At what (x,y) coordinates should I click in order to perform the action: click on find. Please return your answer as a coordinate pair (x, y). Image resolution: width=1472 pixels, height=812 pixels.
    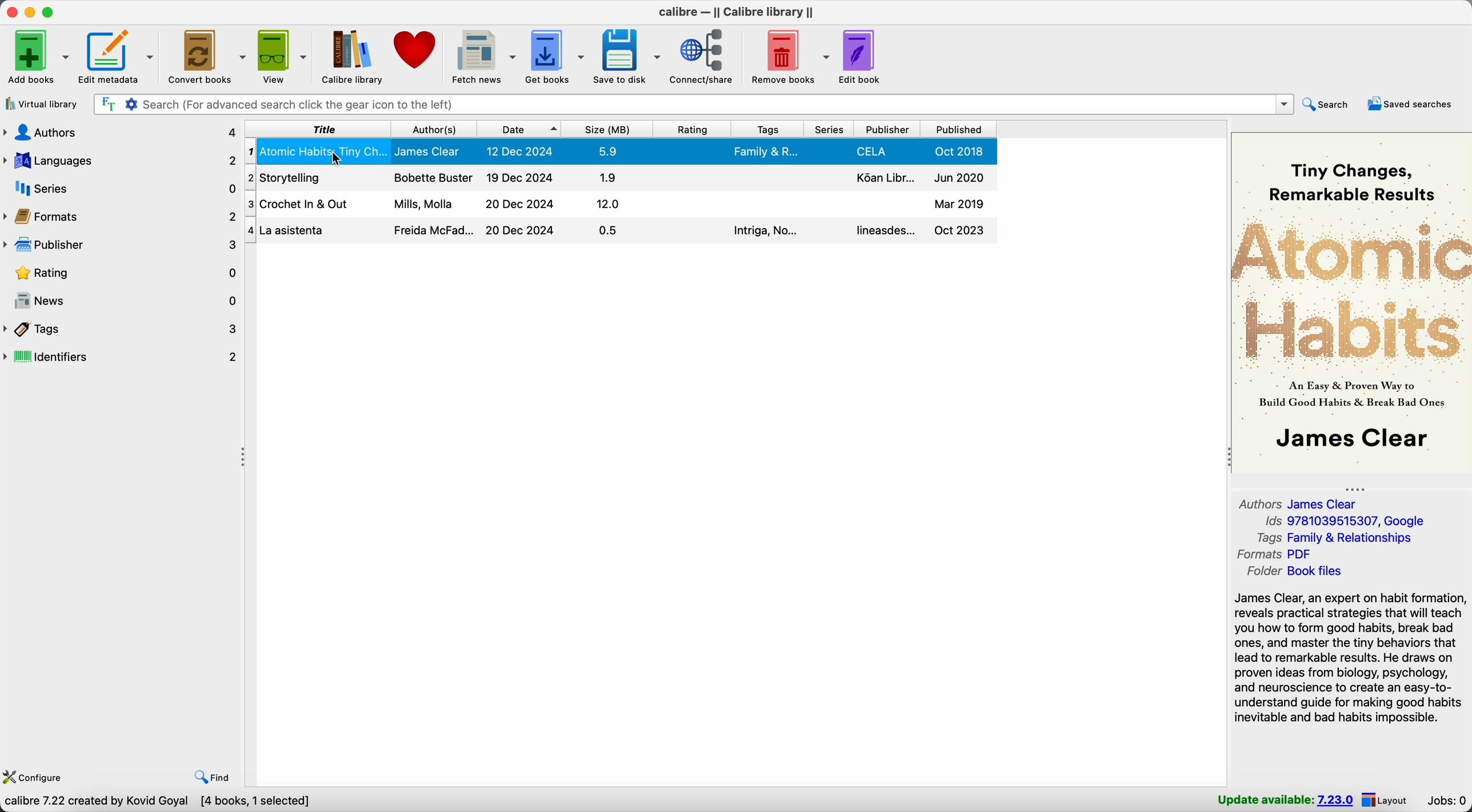
    Looking at the image, I should click on (209, 776).